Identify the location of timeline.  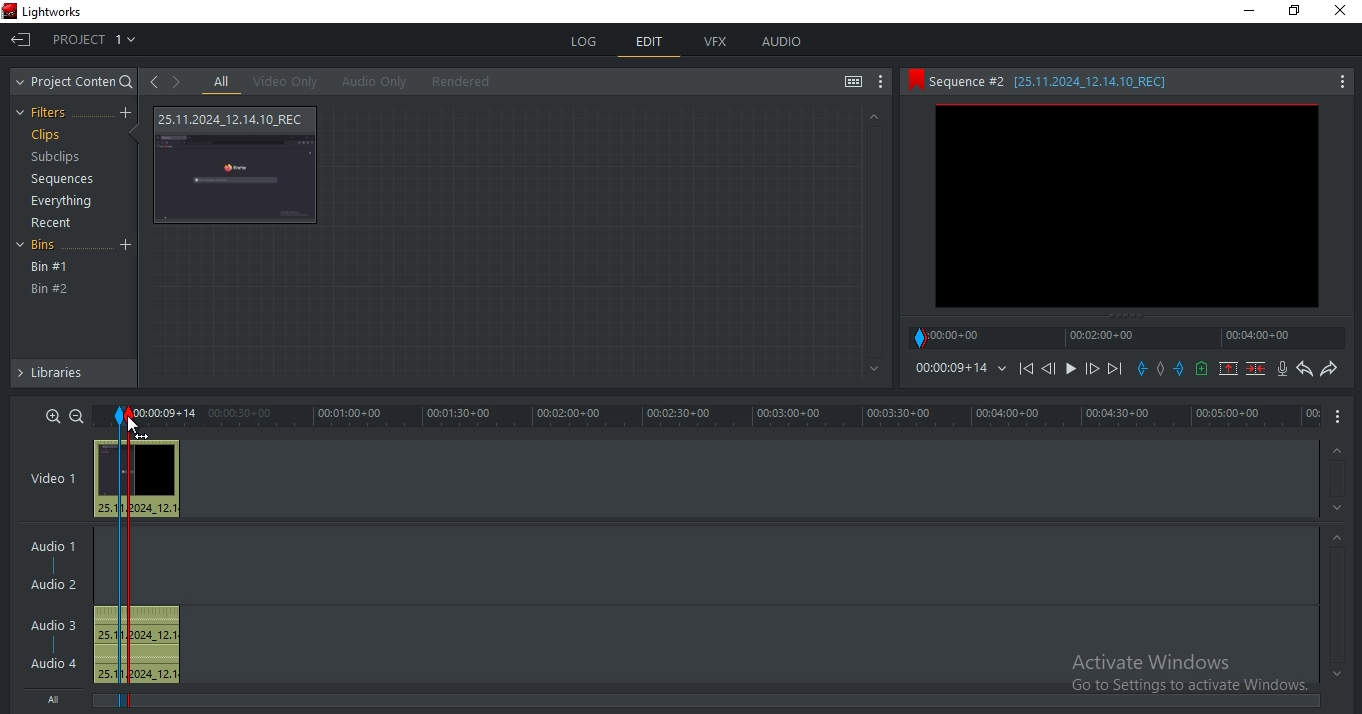
(1130, 337).